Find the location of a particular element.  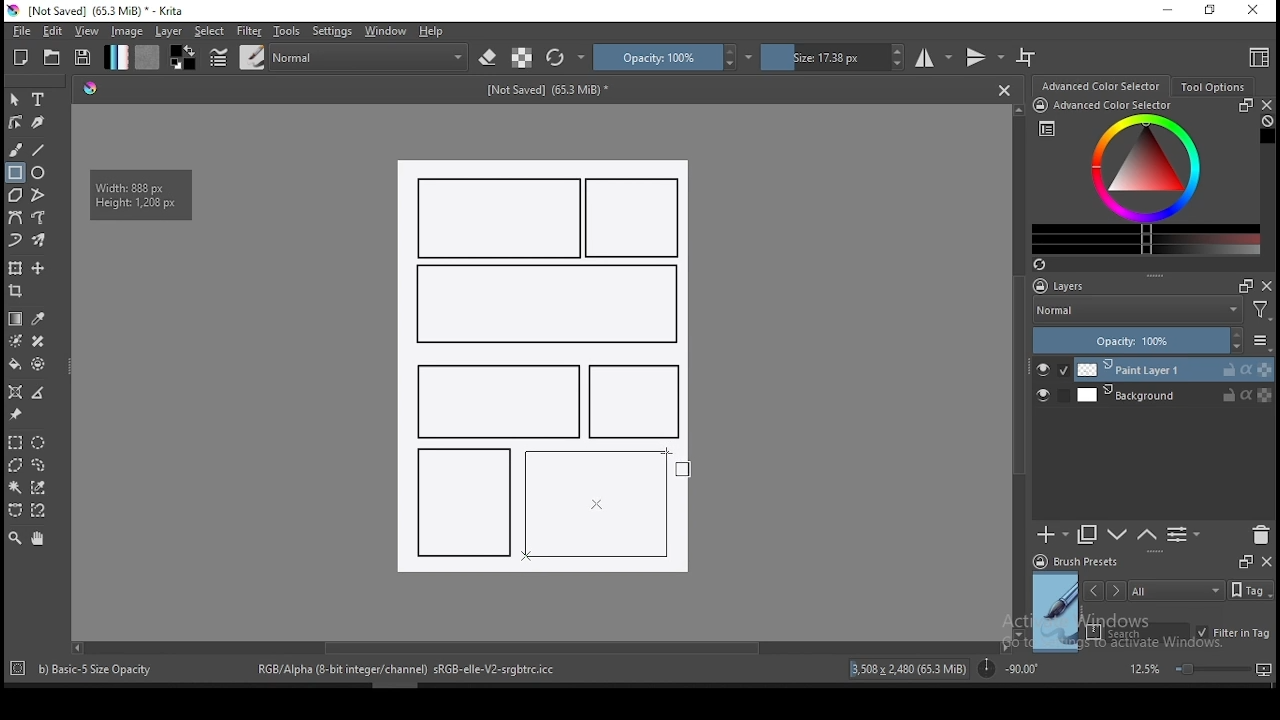

 is located at coordinates (985, 55).